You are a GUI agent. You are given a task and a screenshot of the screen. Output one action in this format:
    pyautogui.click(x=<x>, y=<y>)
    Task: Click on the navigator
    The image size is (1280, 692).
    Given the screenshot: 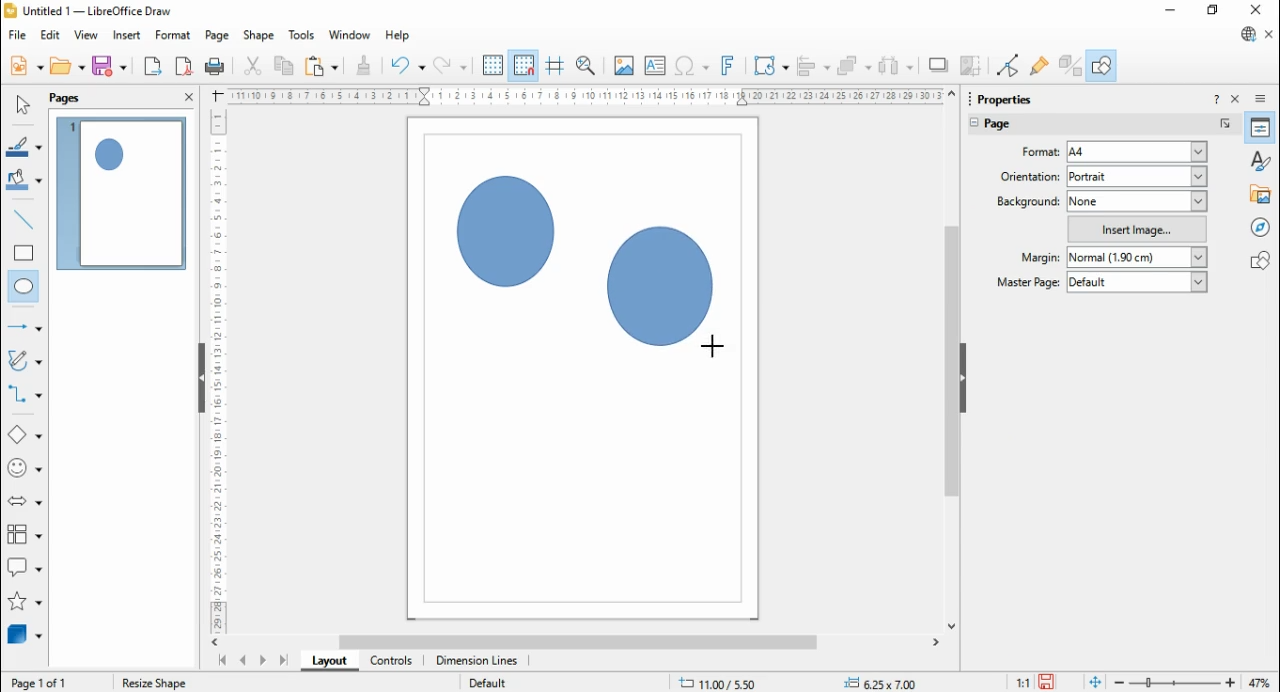 What is the action you would take?
    pyautogui.click(x=1262, y=226)
    